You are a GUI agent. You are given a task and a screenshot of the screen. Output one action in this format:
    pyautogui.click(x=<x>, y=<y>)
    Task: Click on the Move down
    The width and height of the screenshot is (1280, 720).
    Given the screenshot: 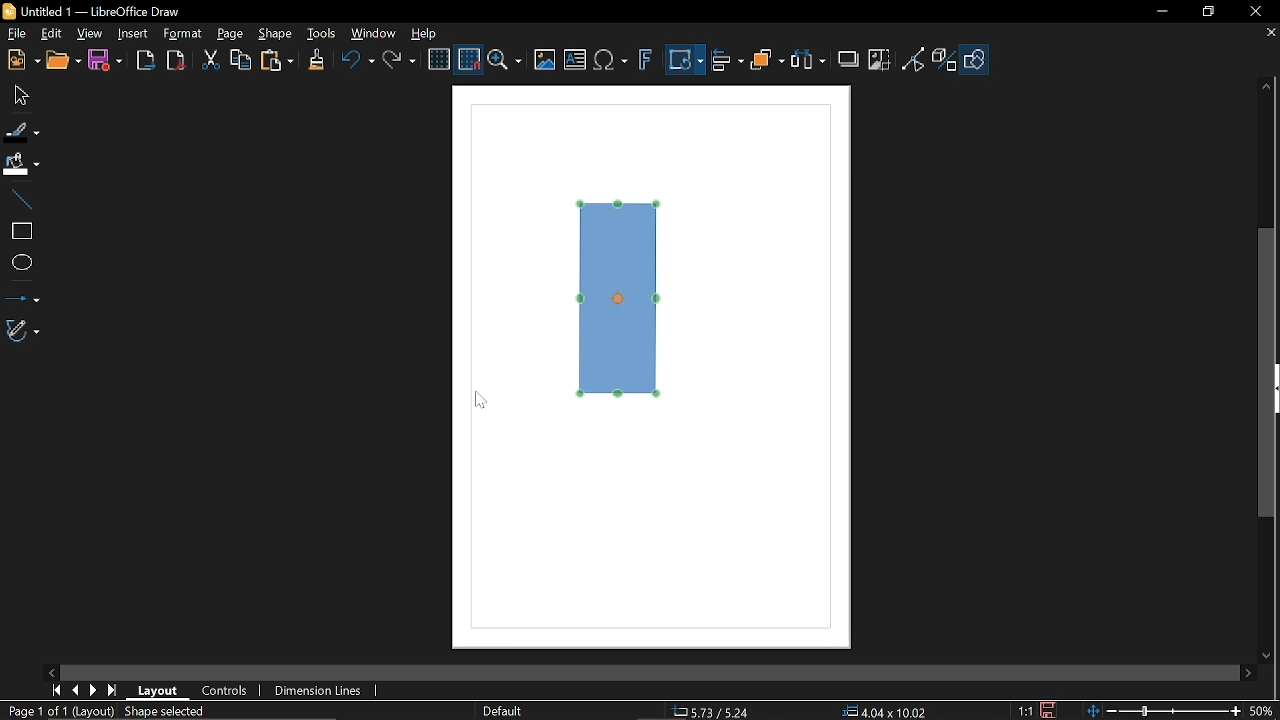 What is the action you would take?
    pyautogui.click(x=1270, y=656)
    